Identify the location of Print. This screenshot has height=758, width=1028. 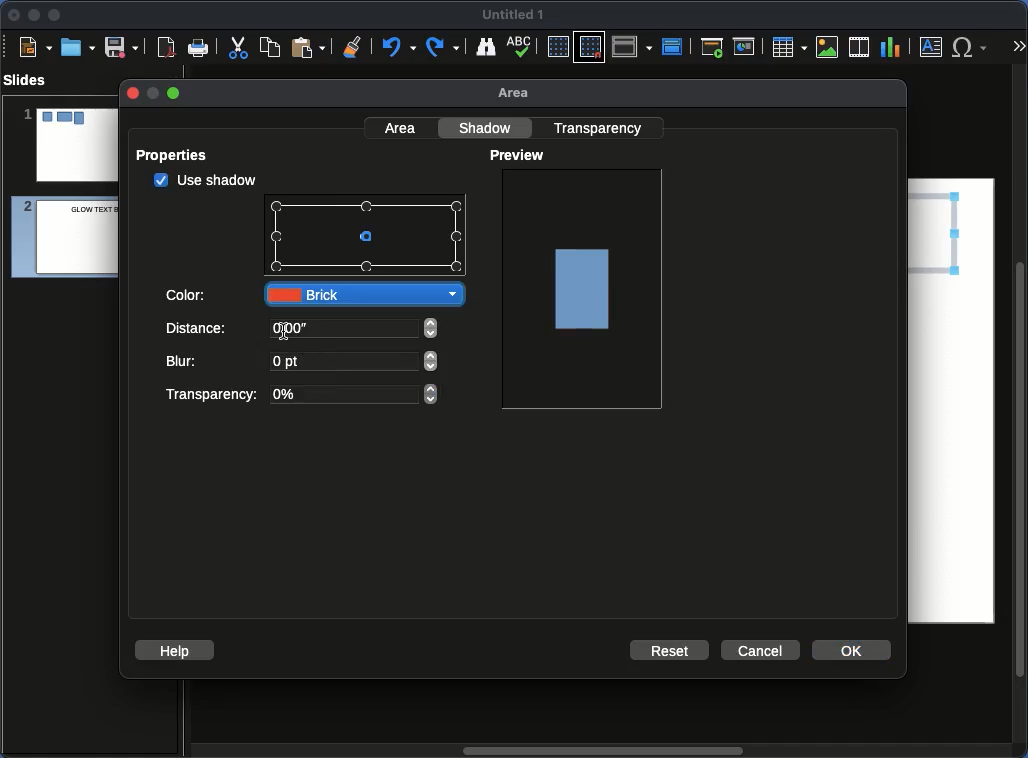
(199, 49).